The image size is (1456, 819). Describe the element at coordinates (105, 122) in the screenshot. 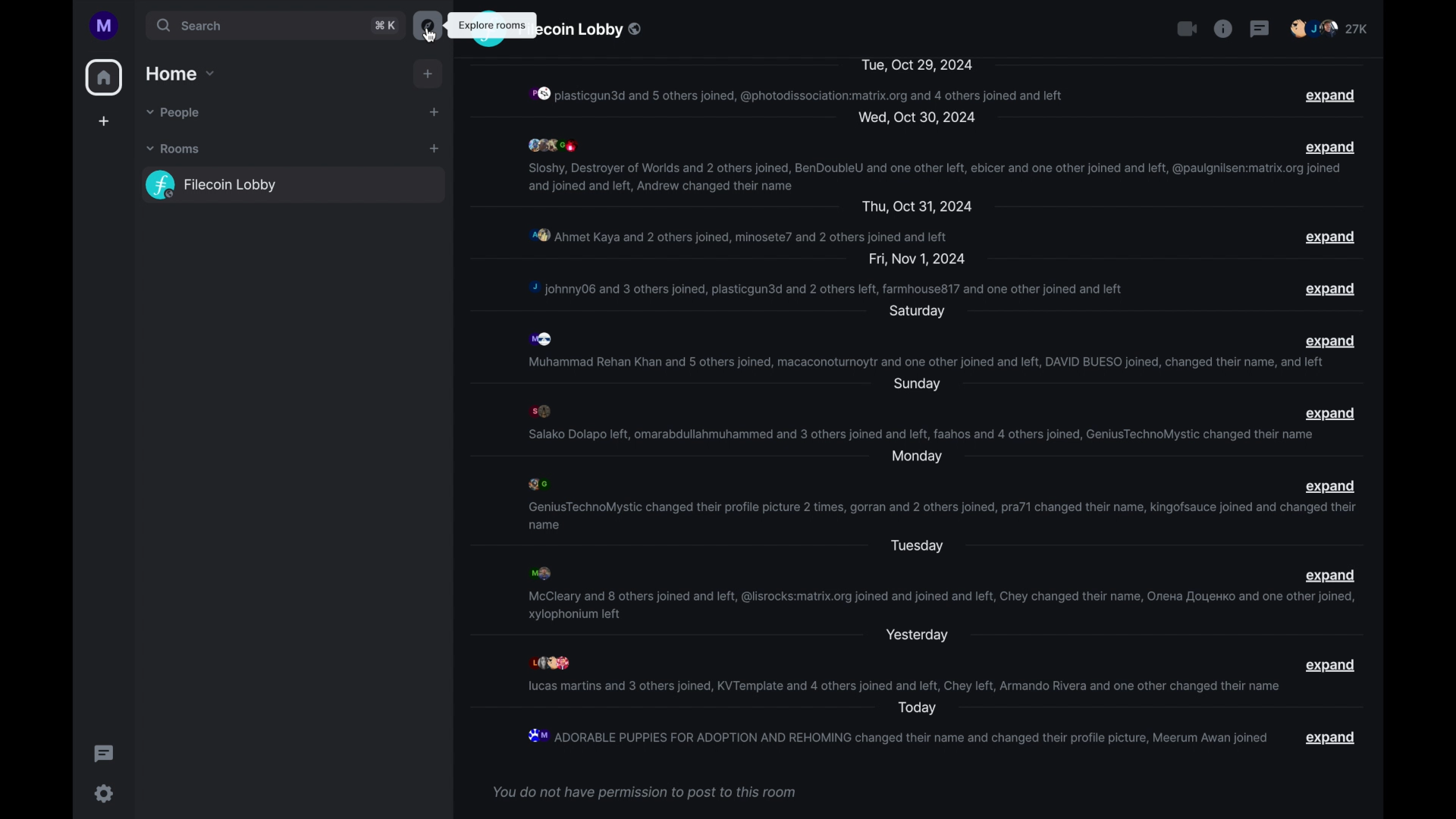

I see `add` at that location.